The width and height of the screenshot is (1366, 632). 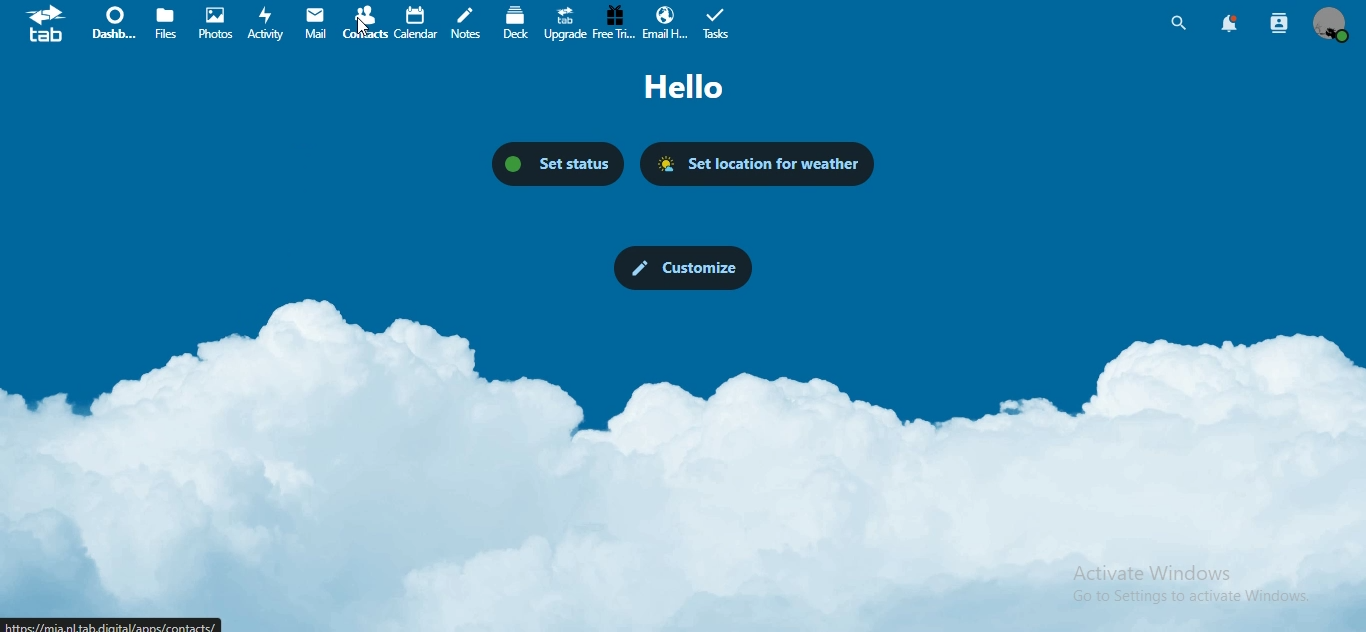 I want to click on set status, so click(x=558, y=165).